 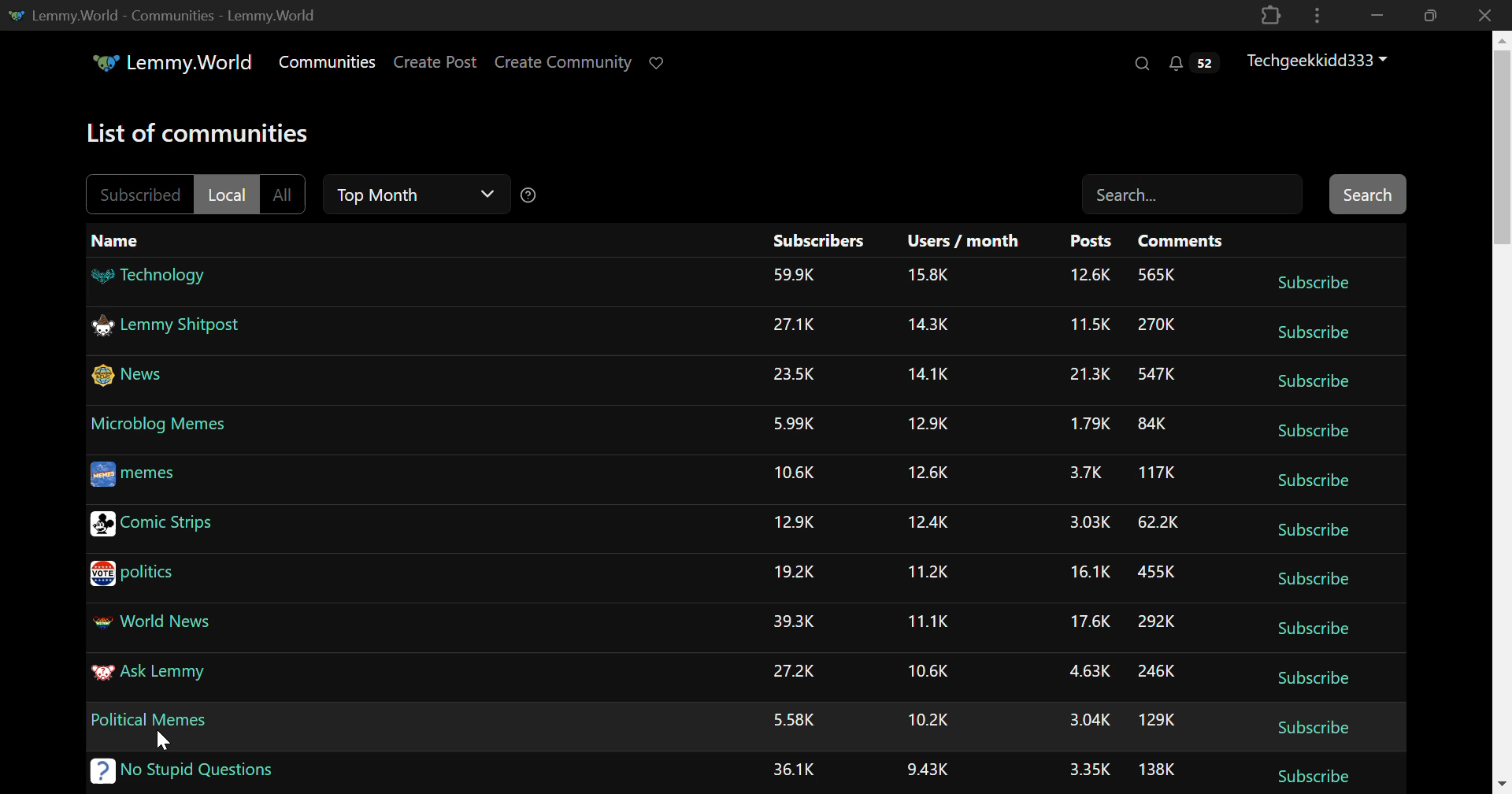 What do you see at coordinates (165, 738) in the screenshot?
I see `Cursor Position` at bounding box center [165, 738].